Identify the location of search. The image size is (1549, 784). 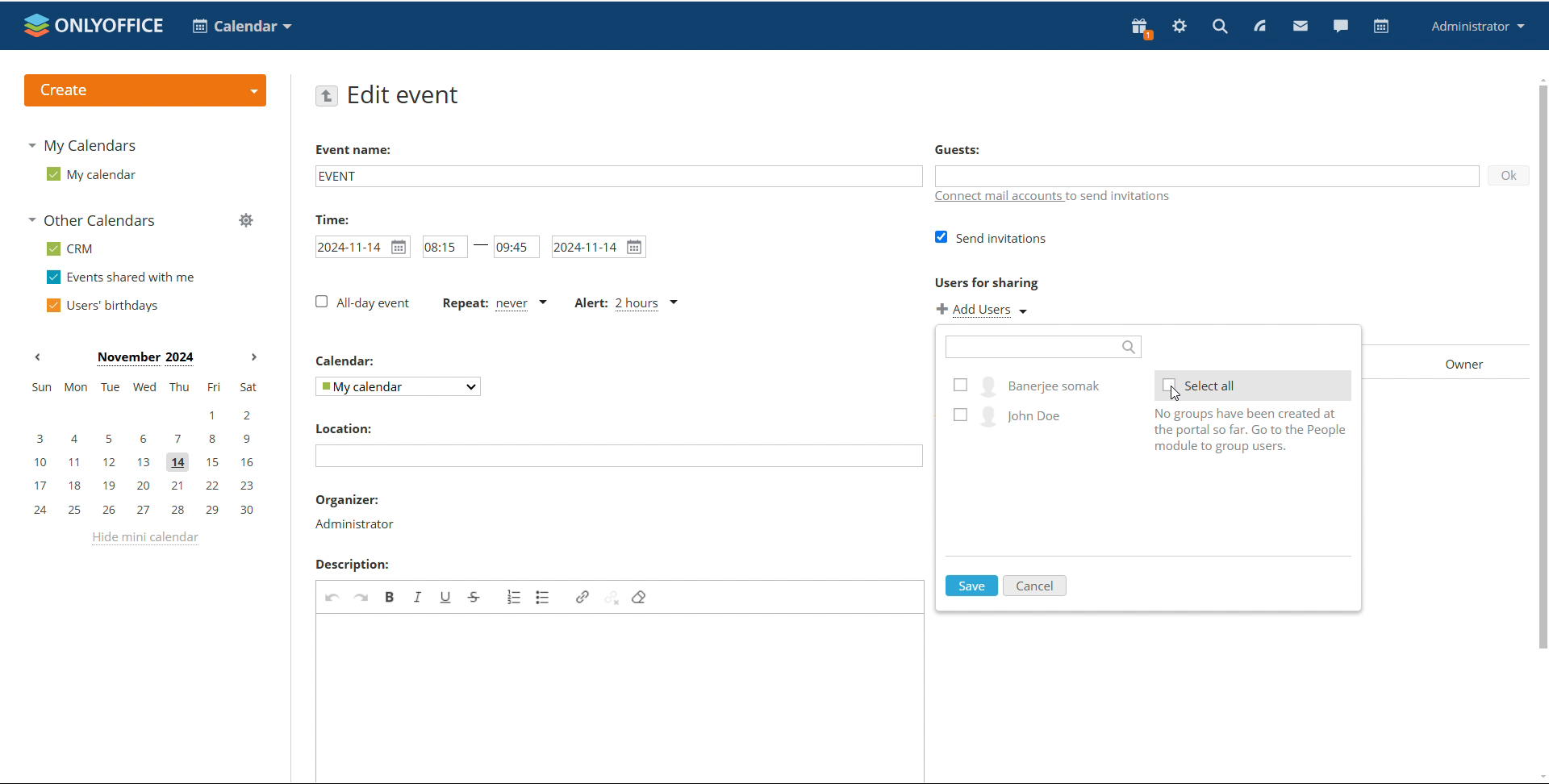
(1220, 25).